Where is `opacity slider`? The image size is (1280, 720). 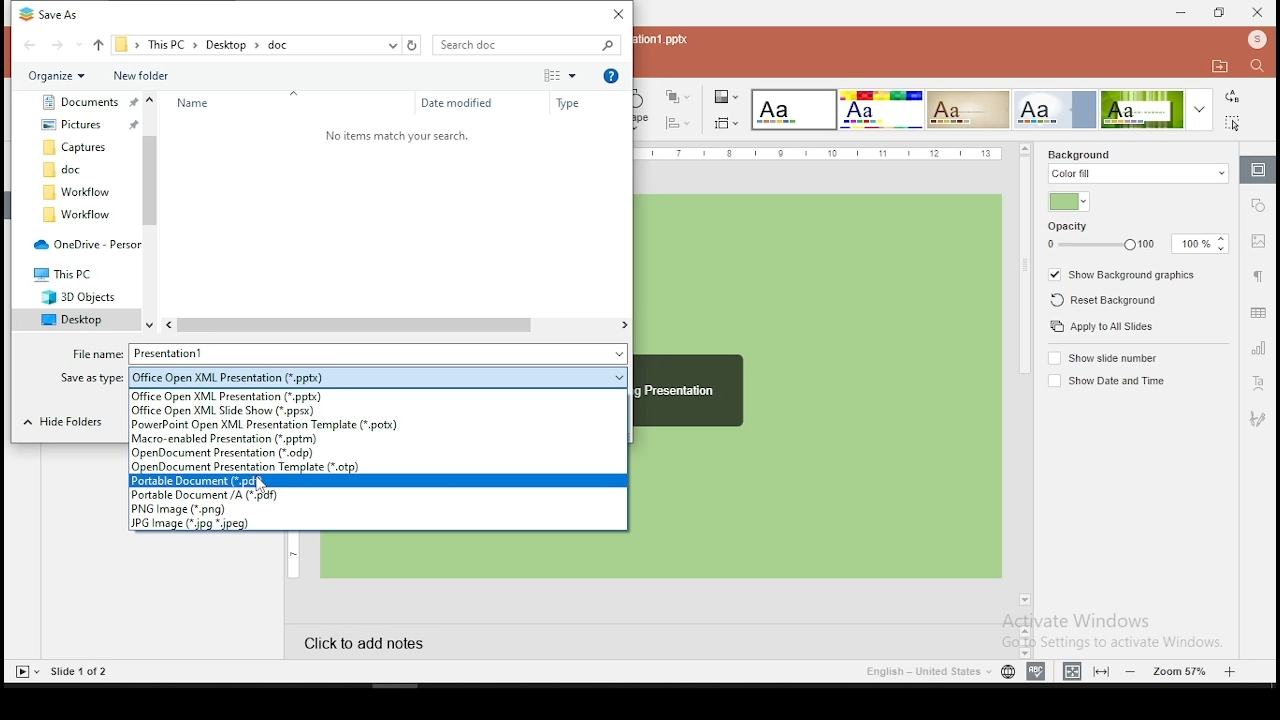 opacity slider is located at coordinates (1099, 245).